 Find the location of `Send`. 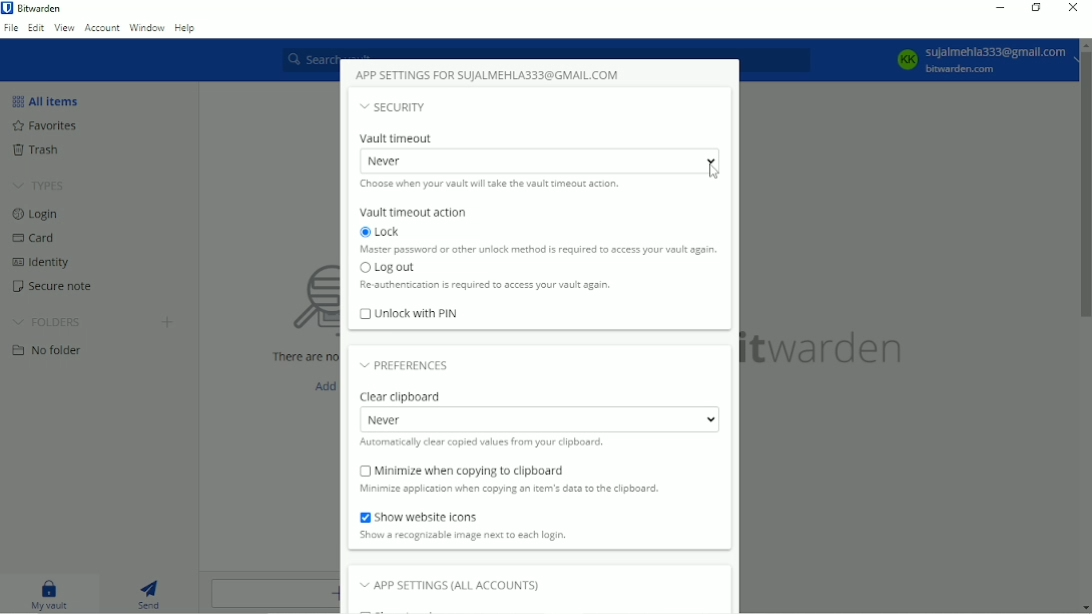

Send is located at coordinates (149, 594).